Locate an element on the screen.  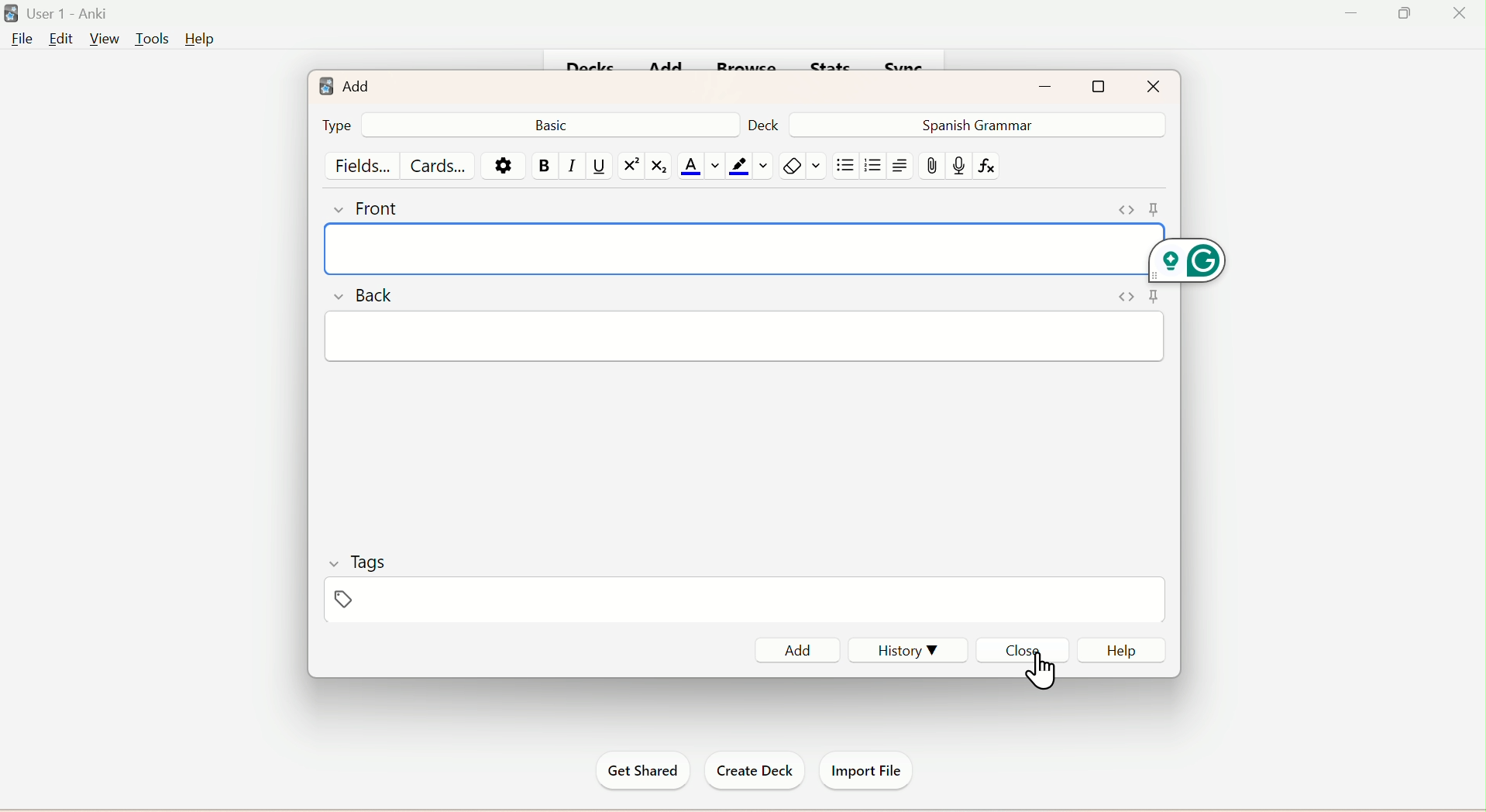
Create Deck is located at coordinates (750, 771).